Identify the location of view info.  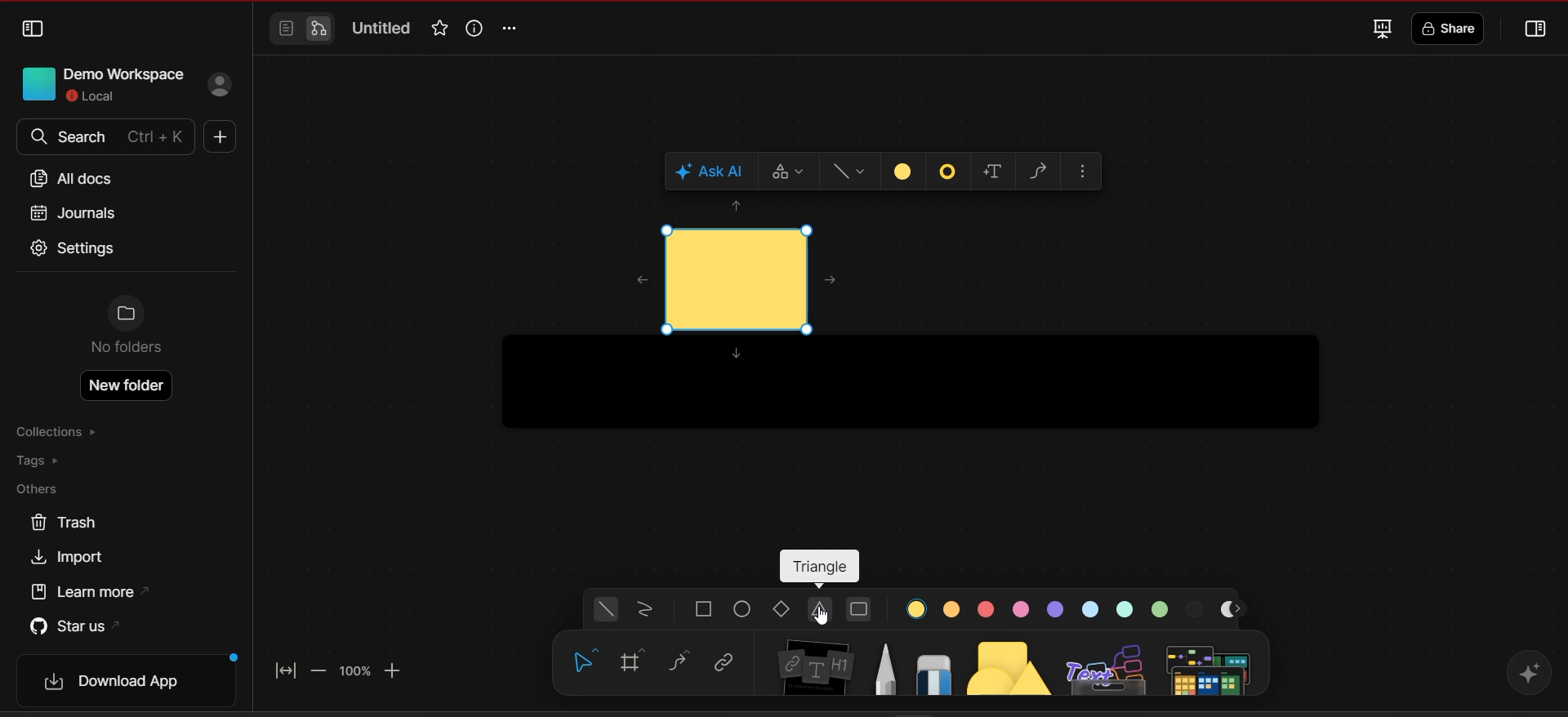
(472, 28).